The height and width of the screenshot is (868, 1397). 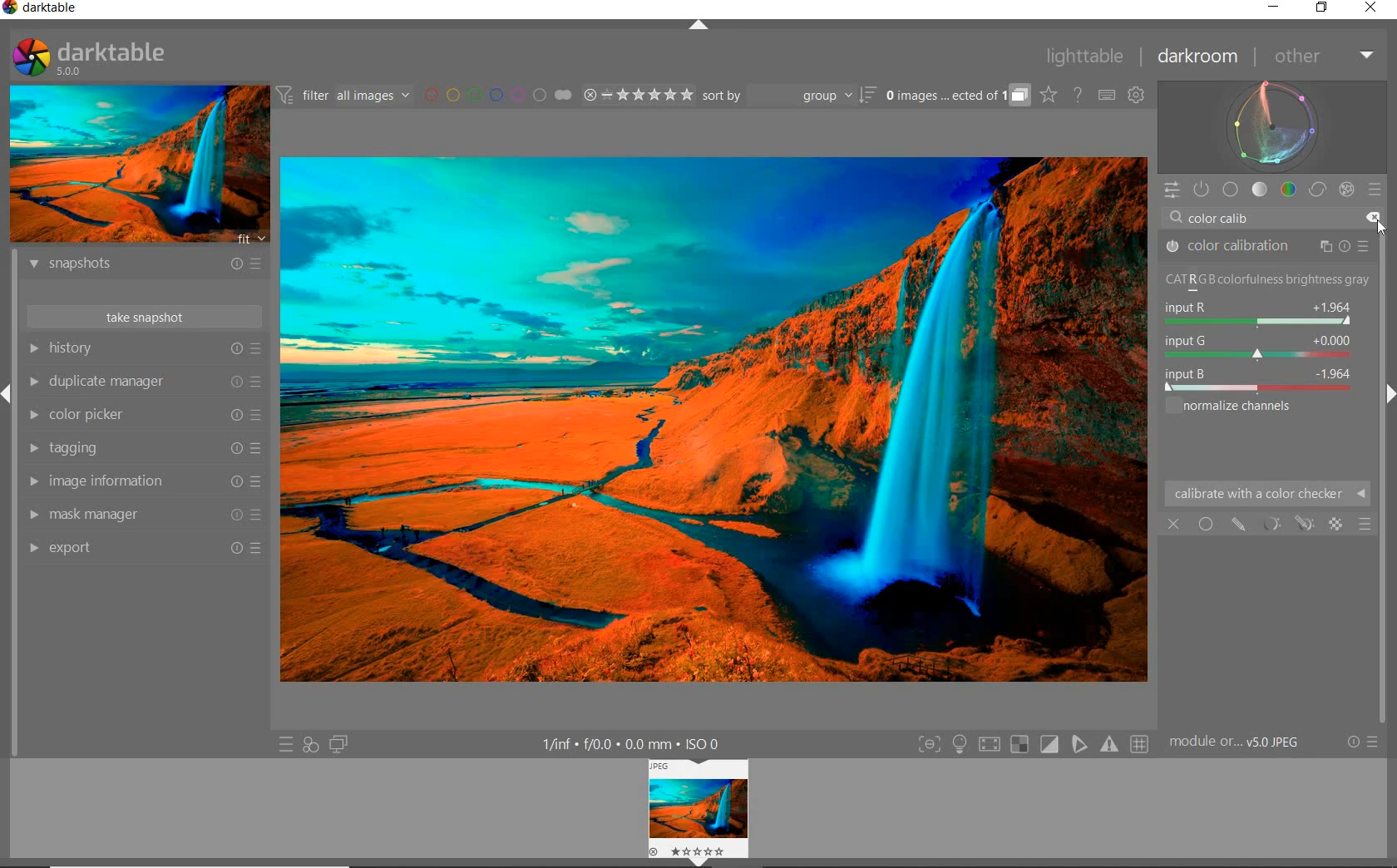 I want to click on OFF, so click(x=1174, y=523).